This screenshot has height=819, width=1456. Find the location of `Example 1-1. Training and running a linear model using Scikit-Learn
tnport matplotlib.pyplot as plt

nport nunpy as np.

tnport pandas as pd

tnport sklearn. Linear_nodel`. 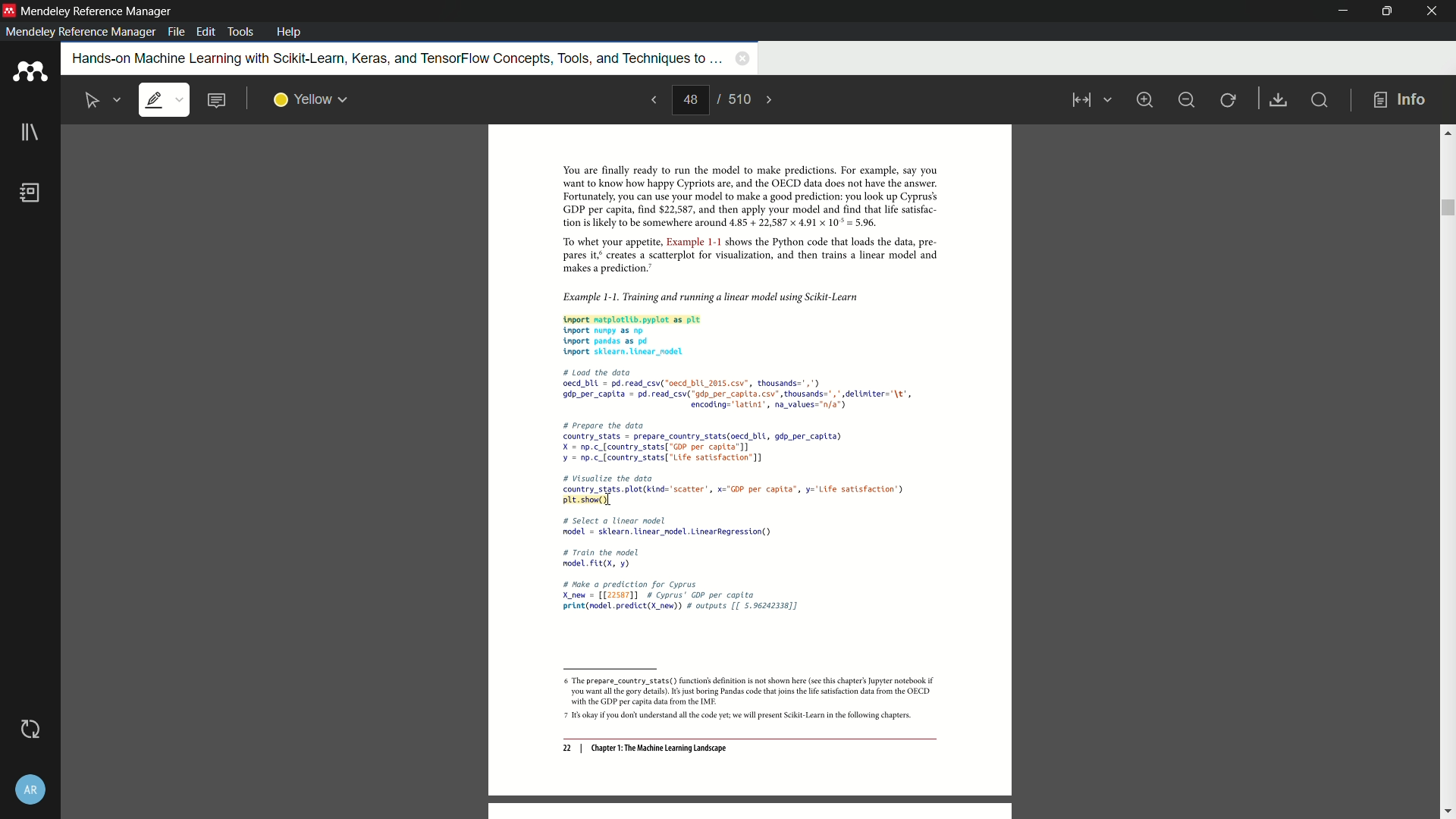

Example 1-1. Training and running a linear model using Scikit-Learn
tnport matplotlib.pyplot as plt

nport nunpy as np.

tnport pandas as pd

tnport sklearn. Linear_nodel is located at coordinates (740, 322).